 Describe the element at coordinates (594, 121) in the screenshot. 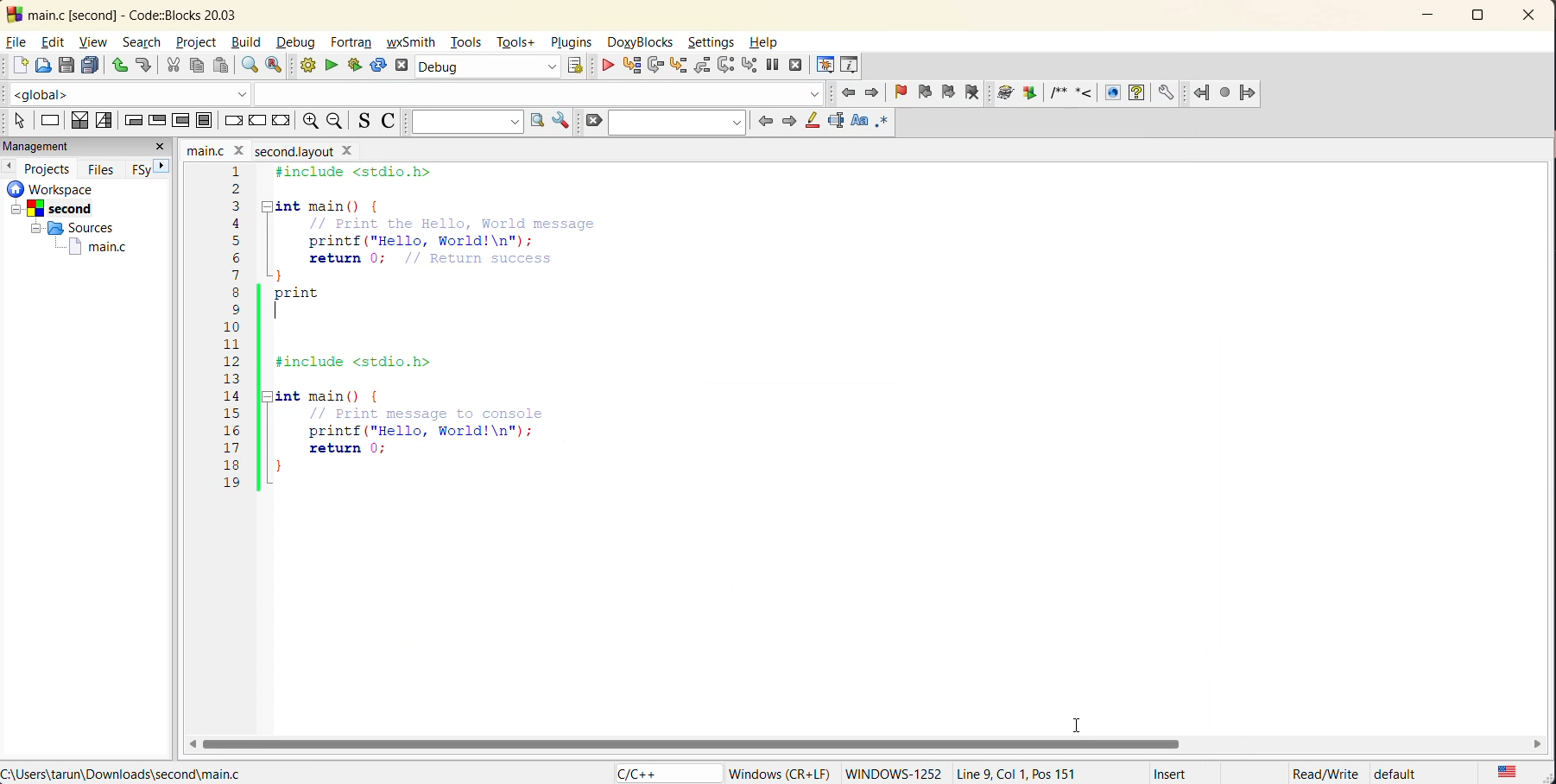

I see `clear` at that location.